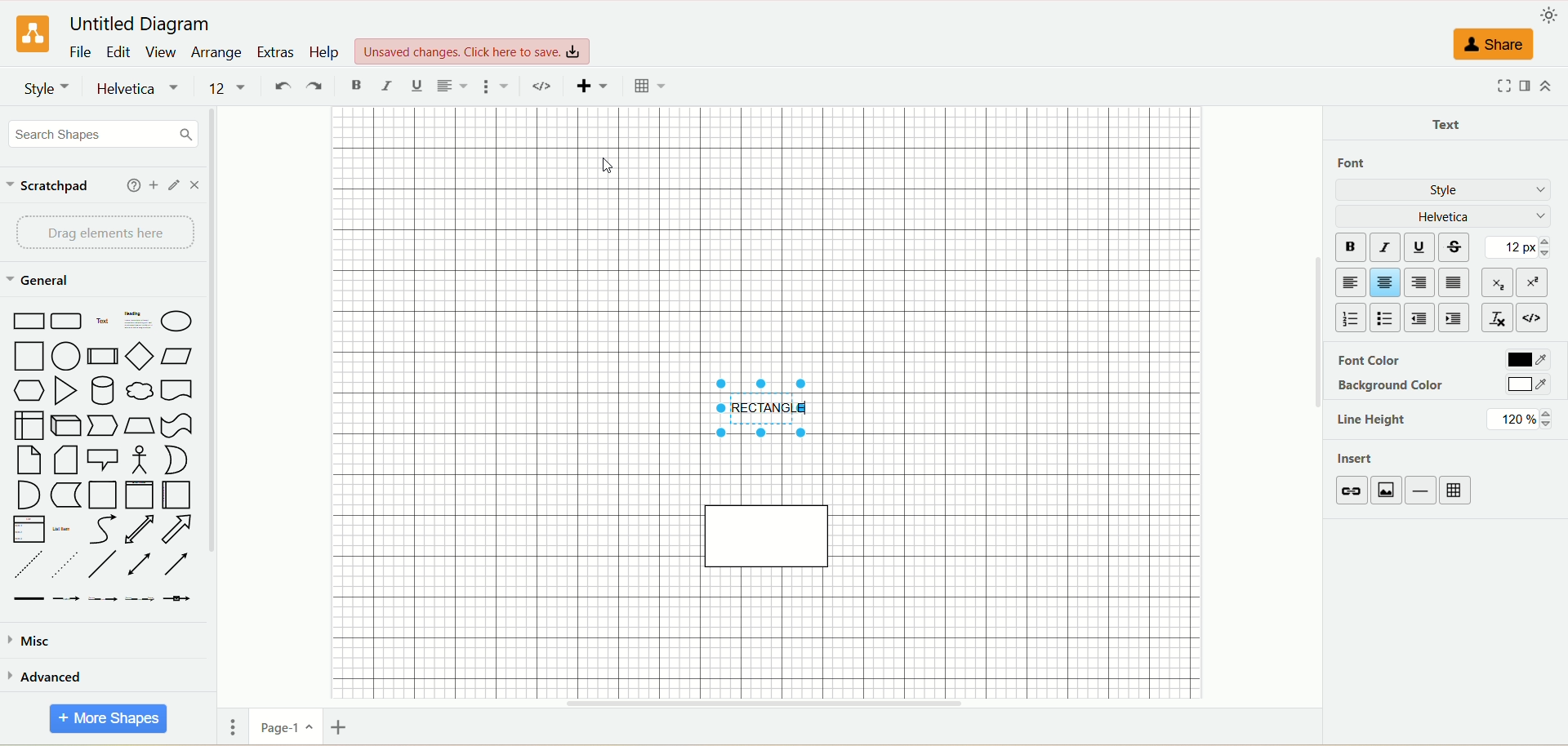 This screenshot has width=1568, height=746. Describe the element at coordinates (457, 87) in the screenshot. I see `text alignment` at that location.